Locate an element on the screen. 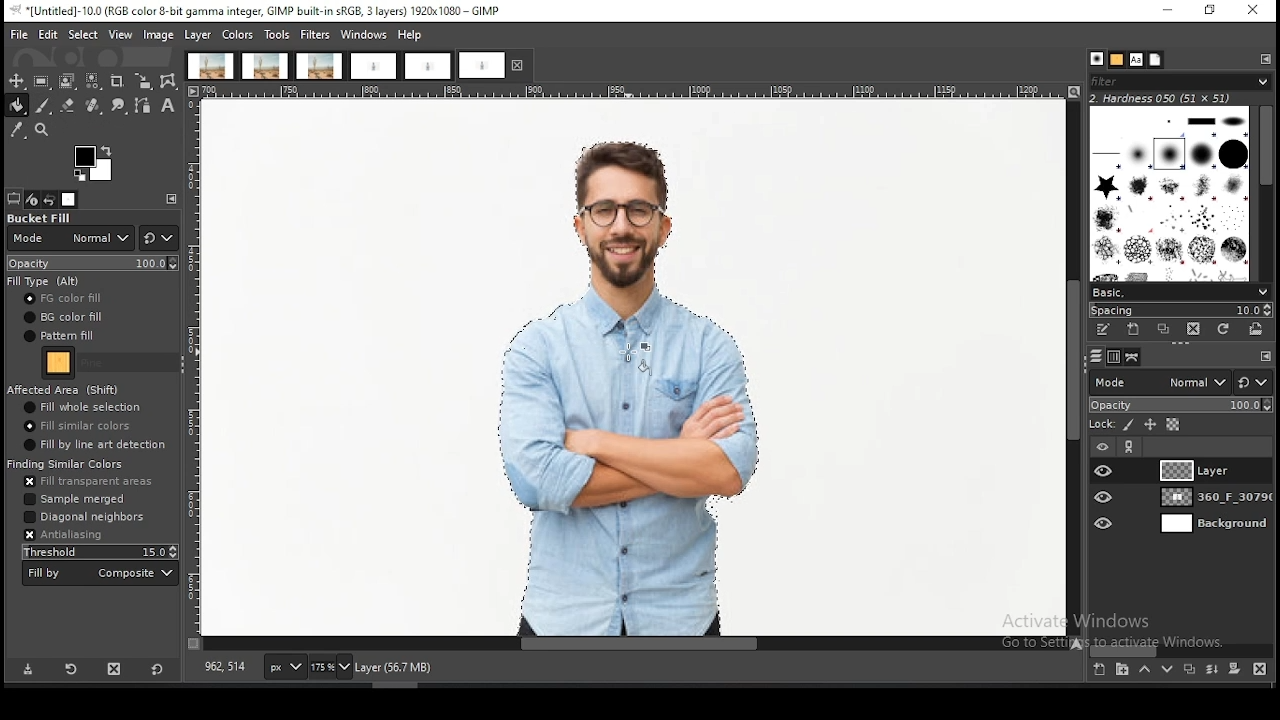  bucket fill mode is located at coordinates (71, 232).